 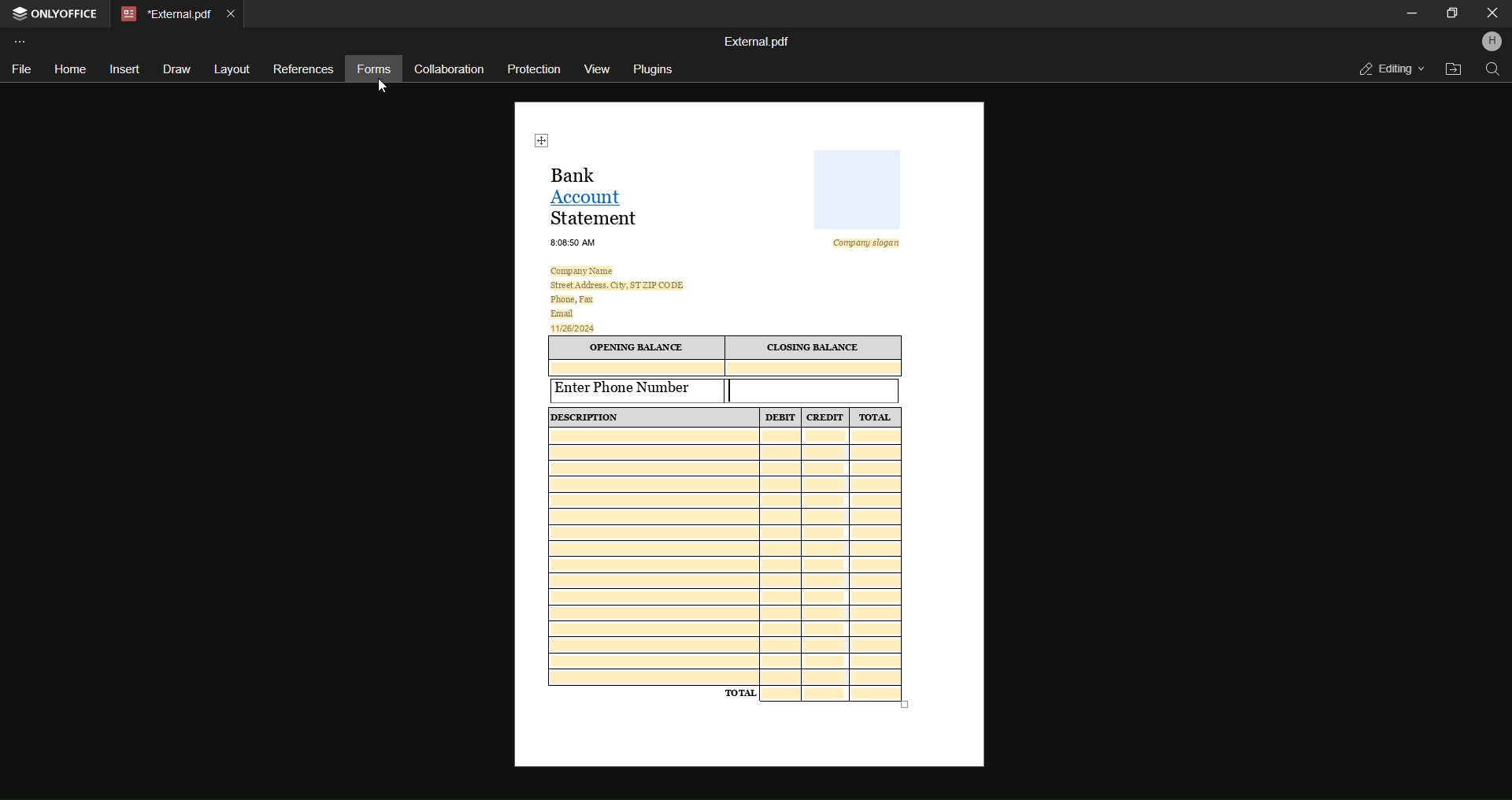 What do you see at coordinates (752, 432) in the screenshot?
I see `Sample template form of a Bank Account Statement` at bounding box center [752, 432].